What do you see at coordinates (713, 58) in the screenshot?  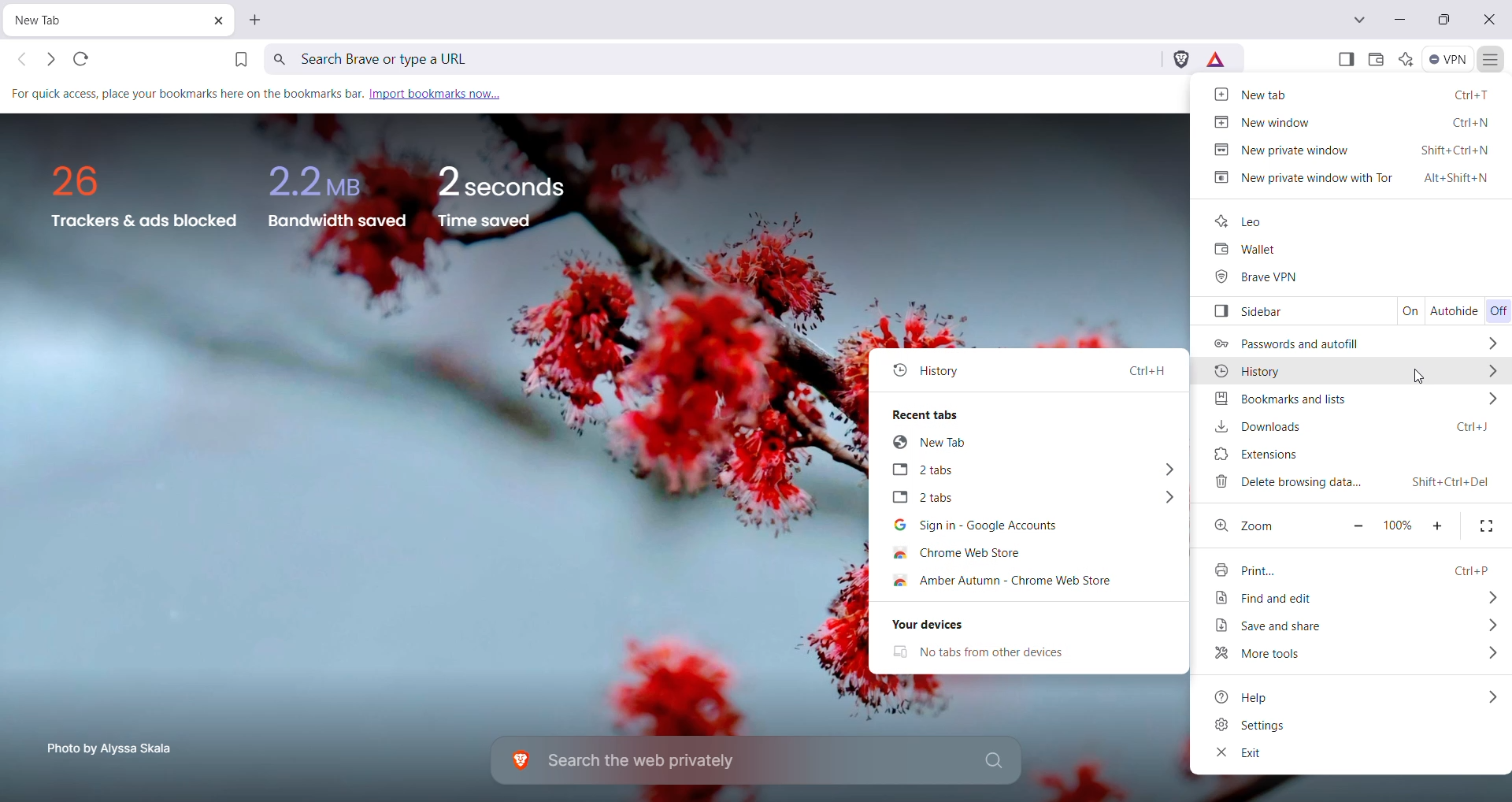 I see `Search Brave or type a URL` at bounding box center [713, 58].